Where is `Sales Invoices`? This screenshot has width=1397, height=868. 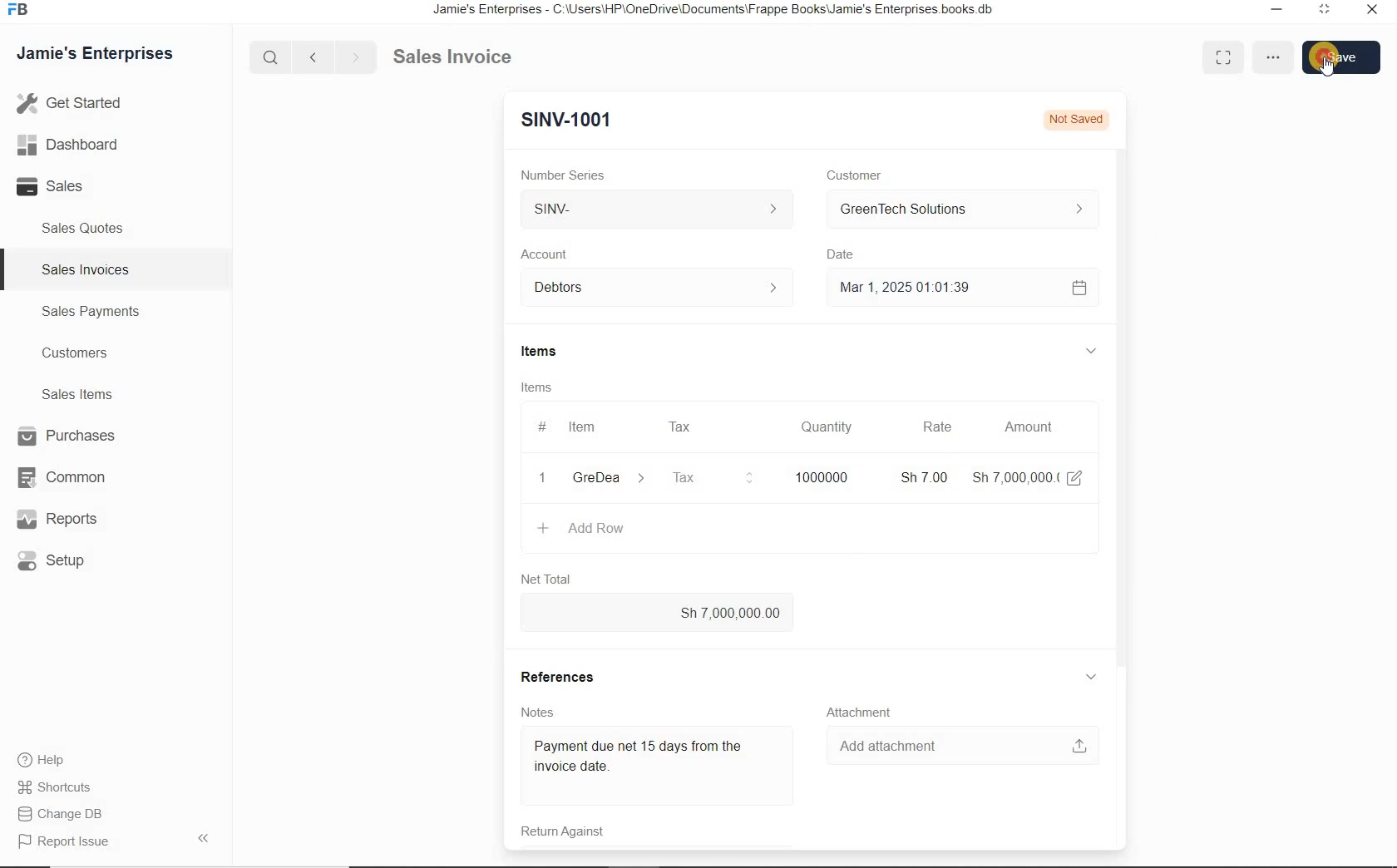 Sales Invoices is located at coordinates (83, 269).